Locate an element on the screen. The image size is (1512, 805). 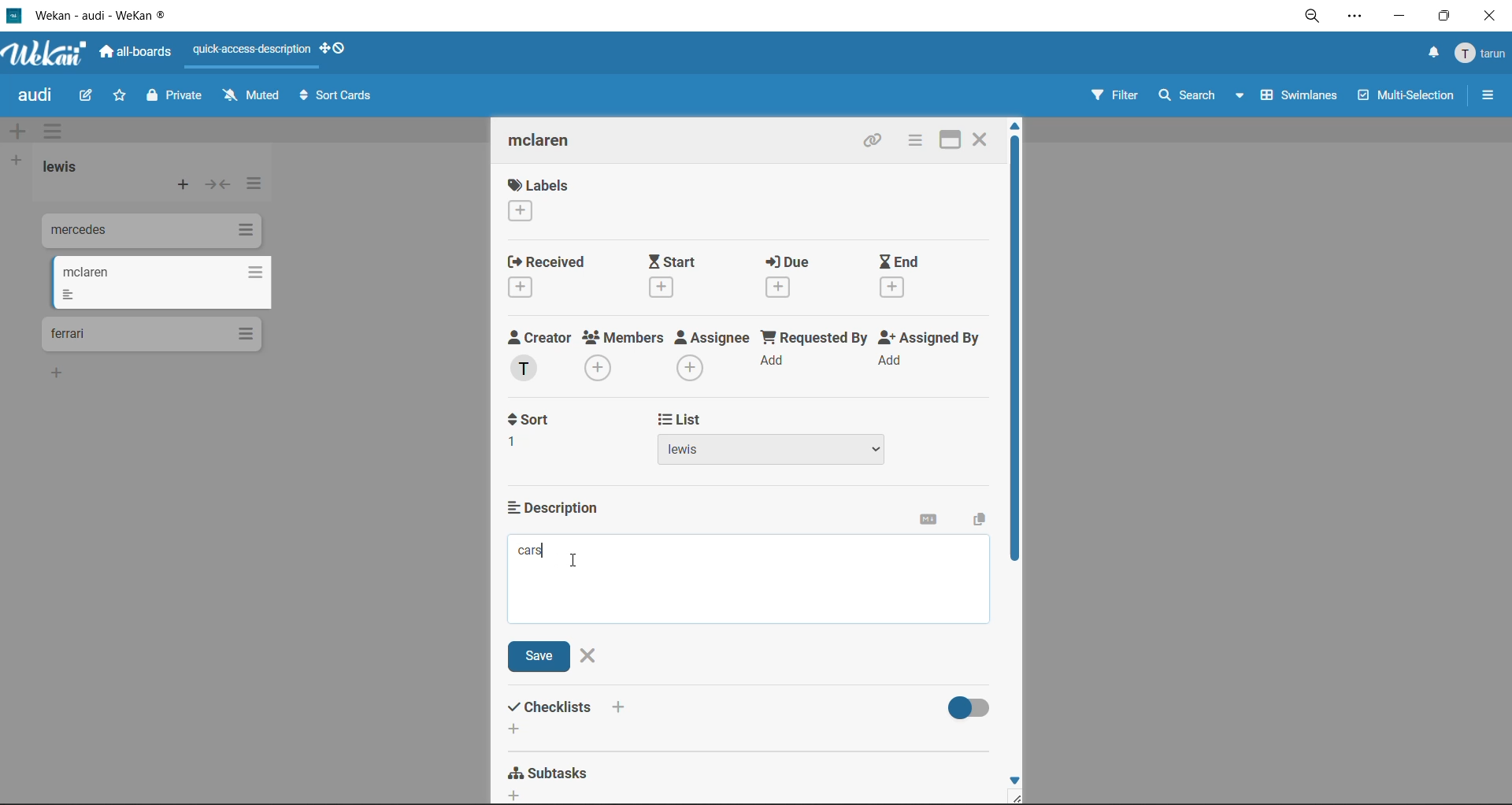
all boards is located at coordinates (136, 52).